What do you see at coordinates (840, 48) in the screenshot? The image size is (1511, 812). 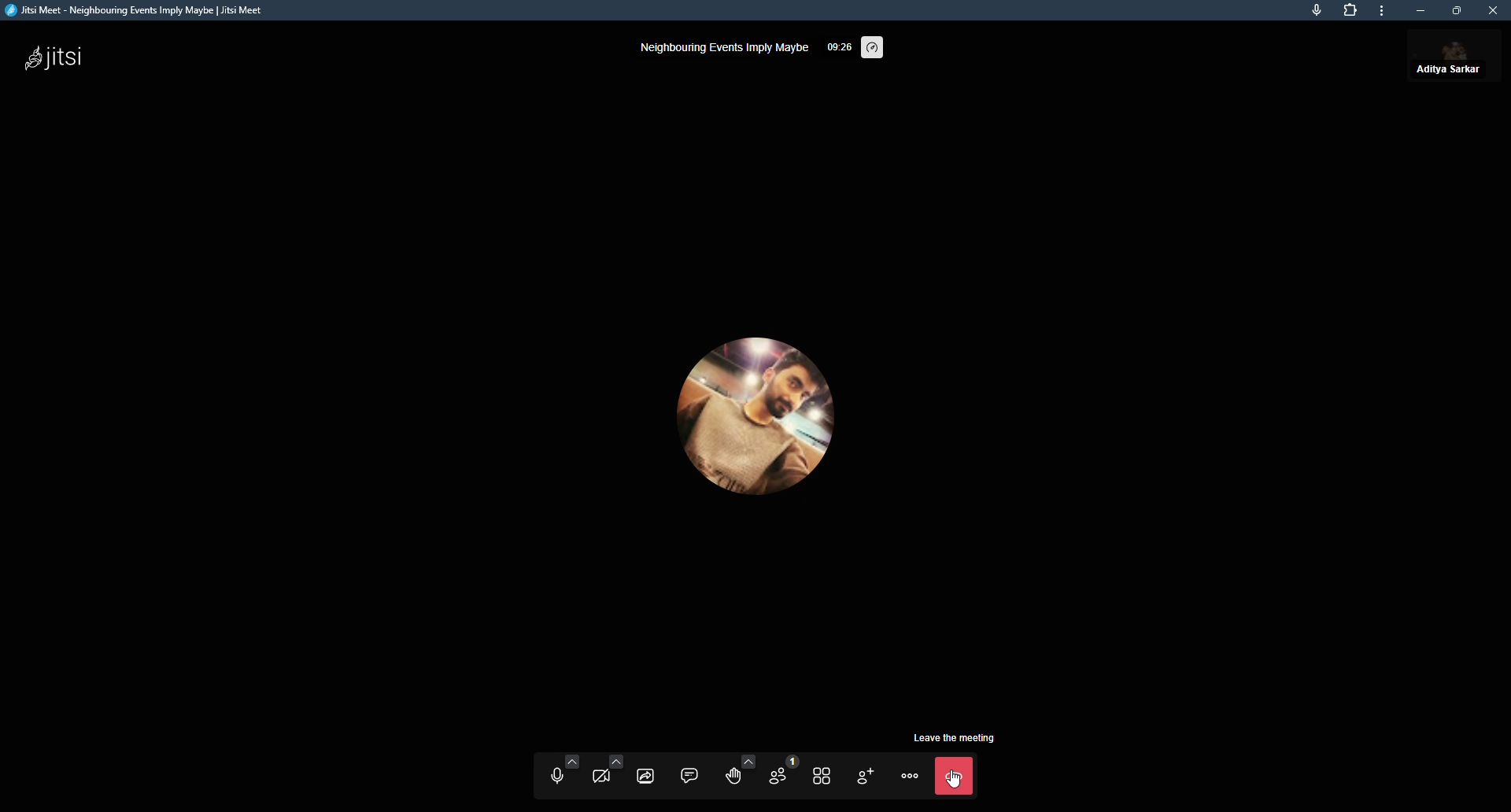 I see `06:26` at bounding box center [840, 48].